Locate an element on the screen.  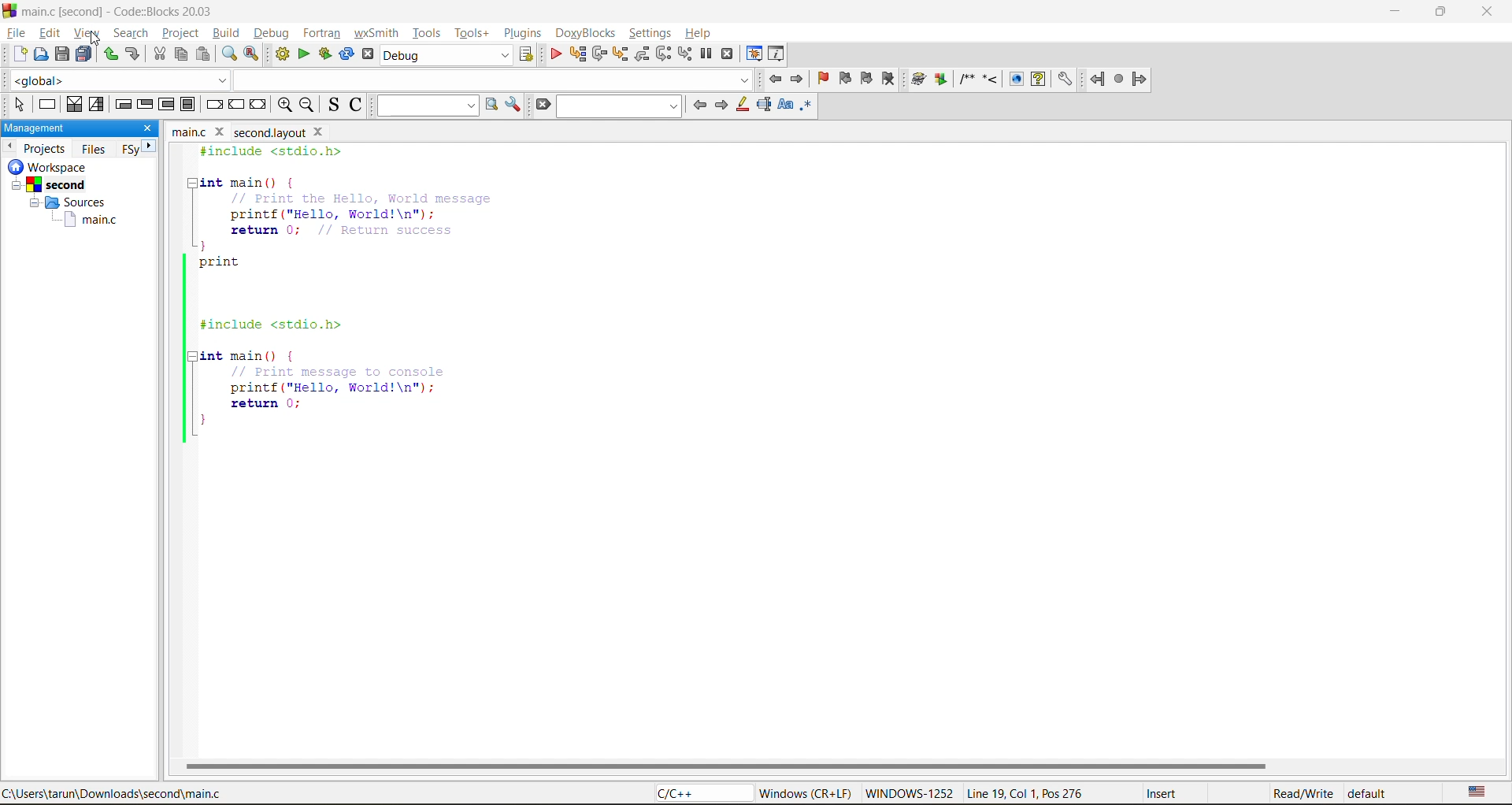
abort is located at coordinates (368, 56).